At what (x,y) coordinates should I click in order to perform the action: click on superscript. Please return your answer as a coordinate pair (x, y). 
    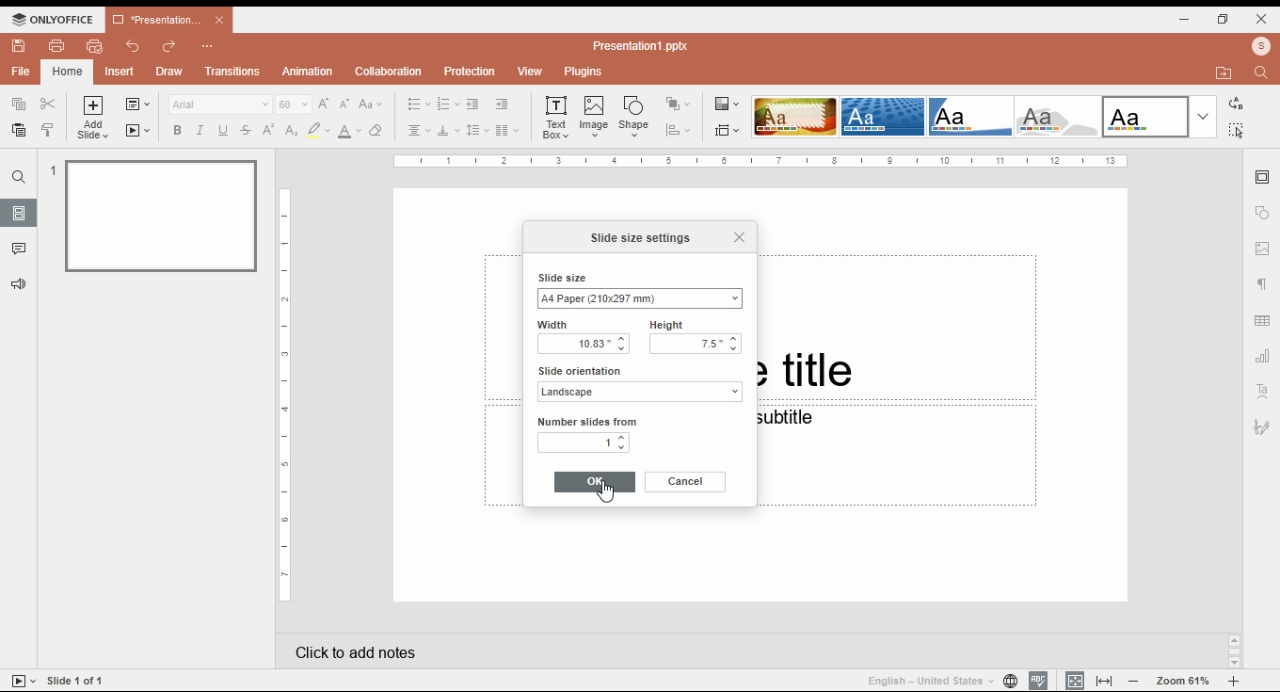
    Looking at the image, I should click on (269, 129).